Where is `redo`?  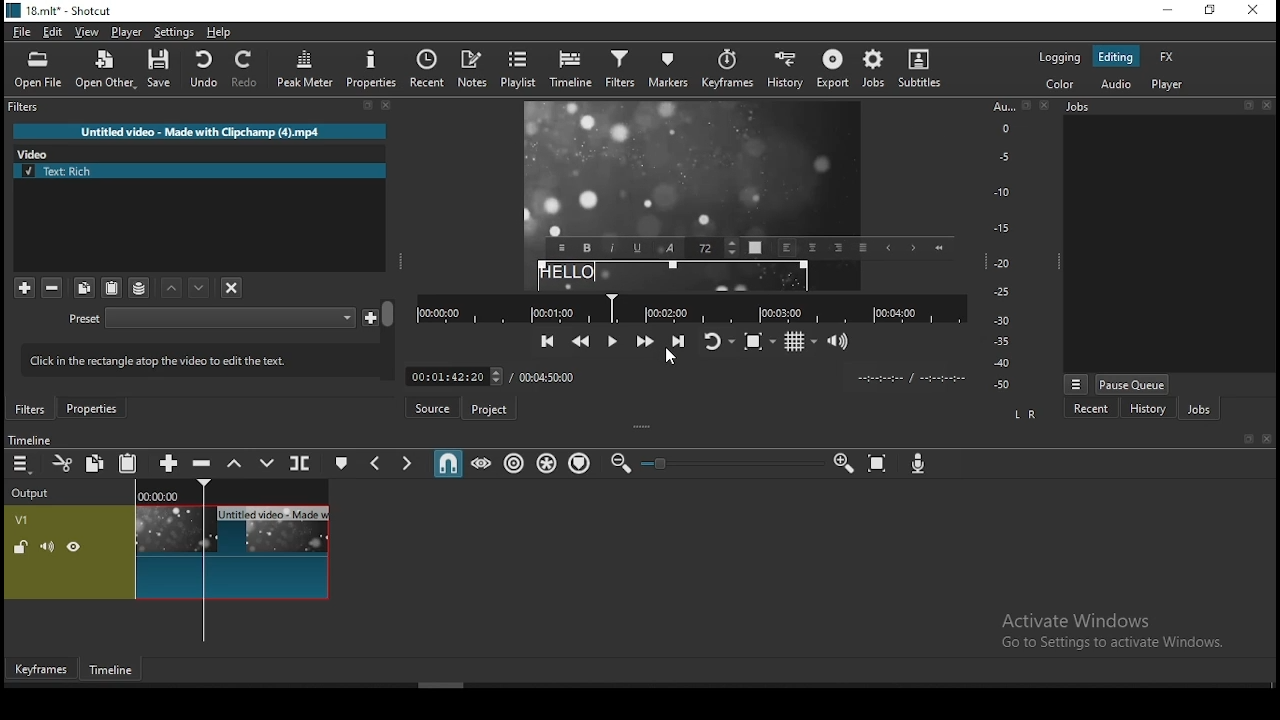
redo is located at coordinates (246, 69).